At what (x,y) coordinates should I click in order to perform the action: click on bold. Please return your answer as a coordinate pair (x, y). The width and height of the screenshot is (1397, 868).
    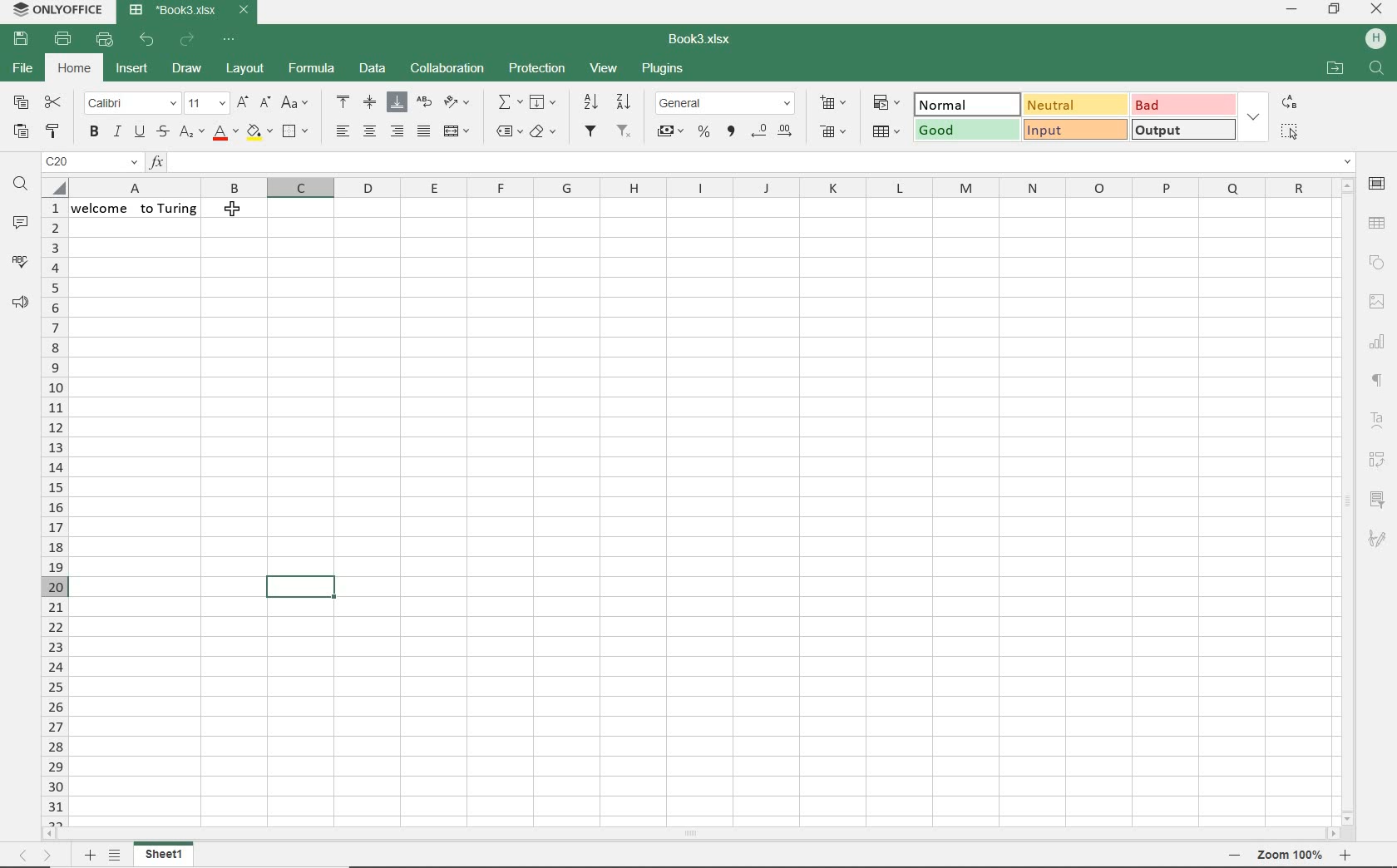
    Looking at the image, I should click on (95, 133).